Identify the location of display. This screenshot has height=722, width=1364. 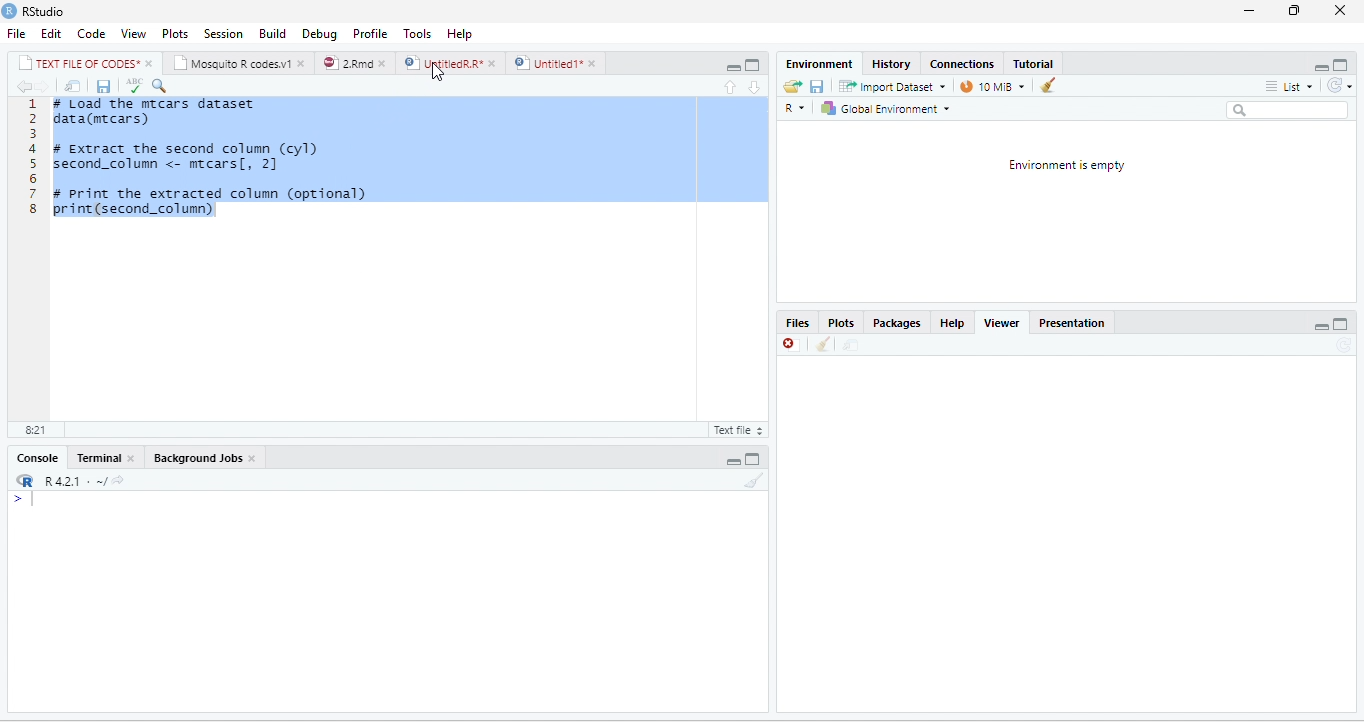
(384, 602).